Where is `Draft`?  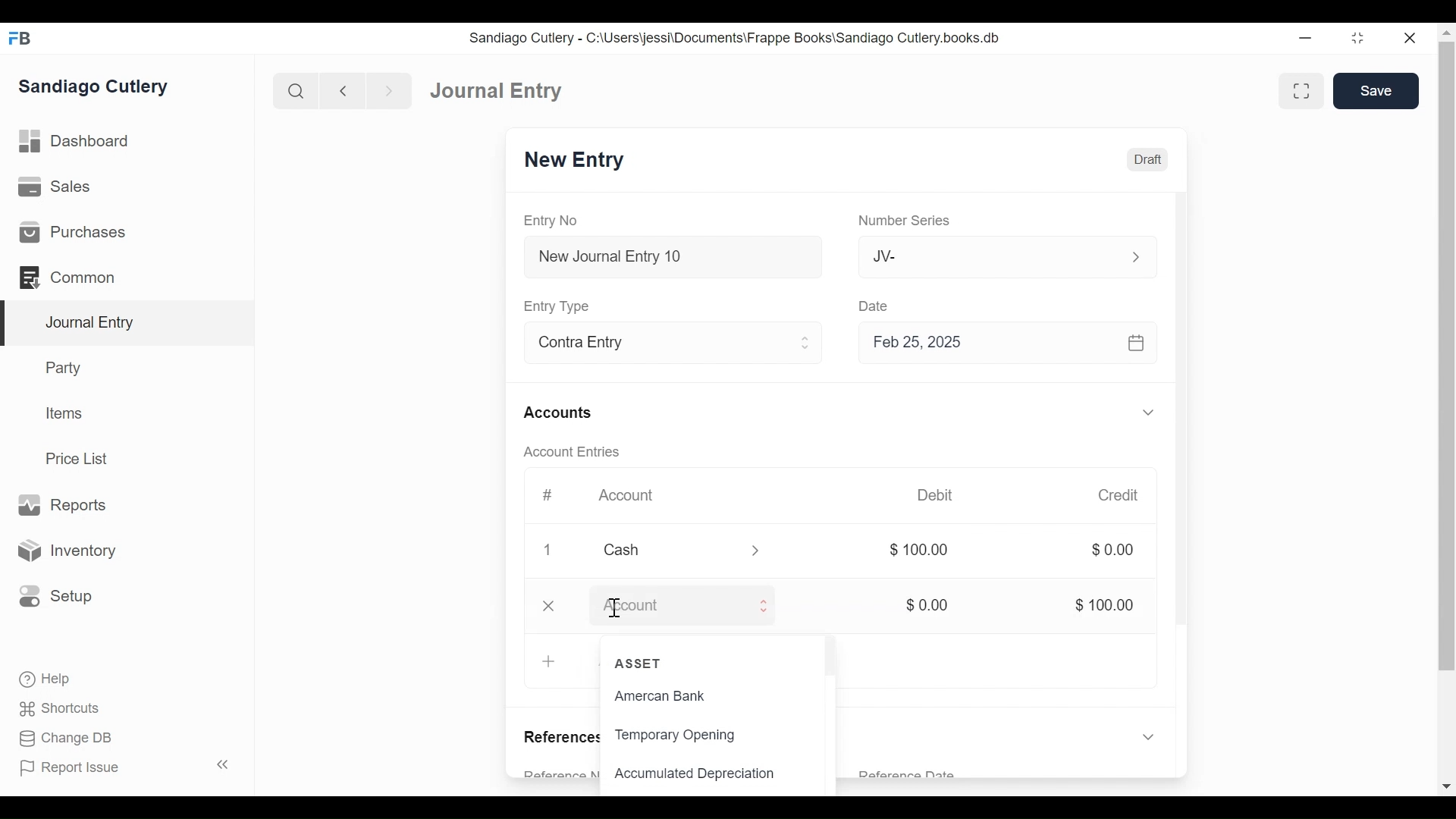
Draft is located at coordinates (1145, 159).